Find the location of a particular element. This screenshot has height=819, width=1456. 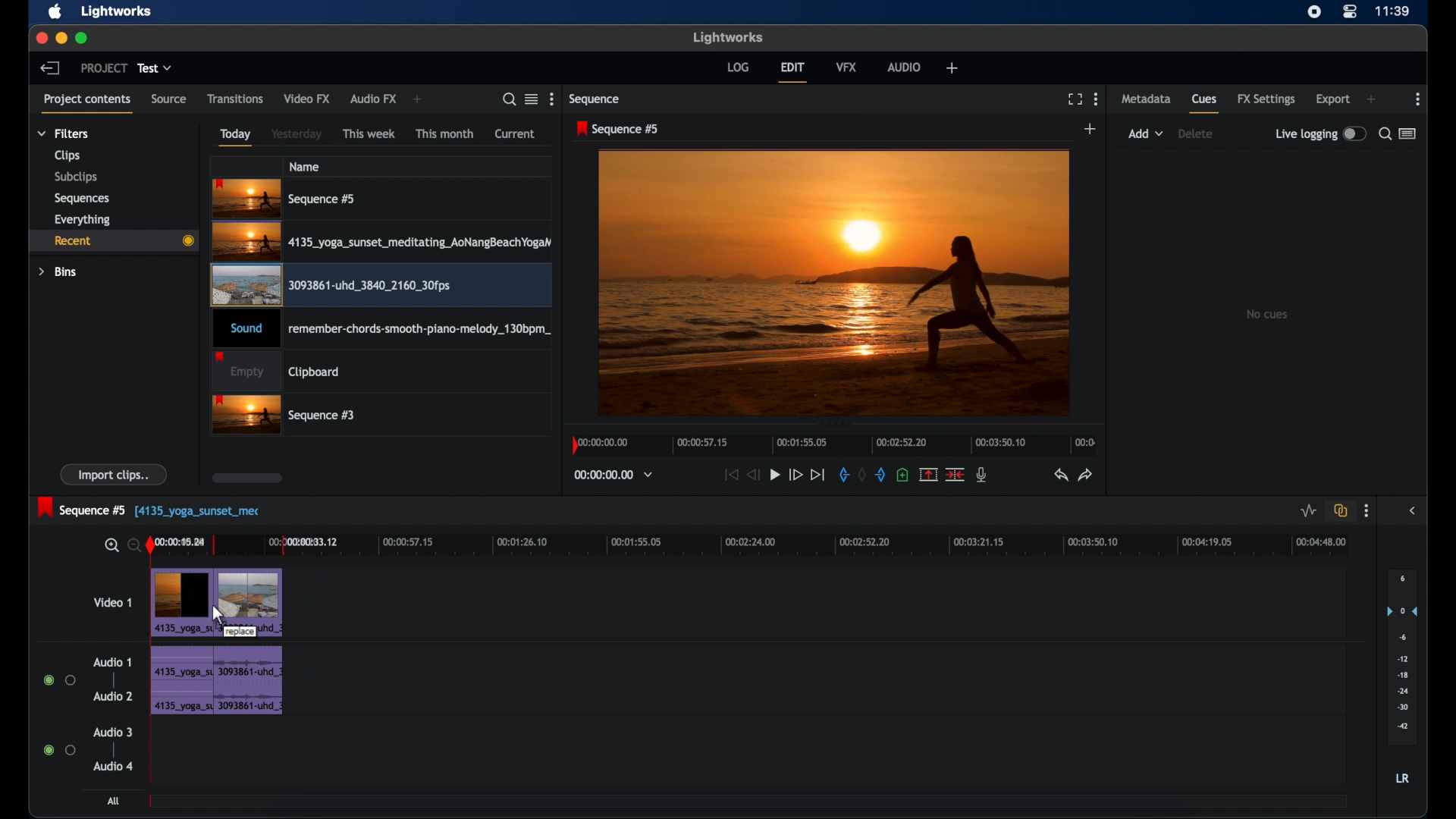

cut is located at coordinates (955, 474).